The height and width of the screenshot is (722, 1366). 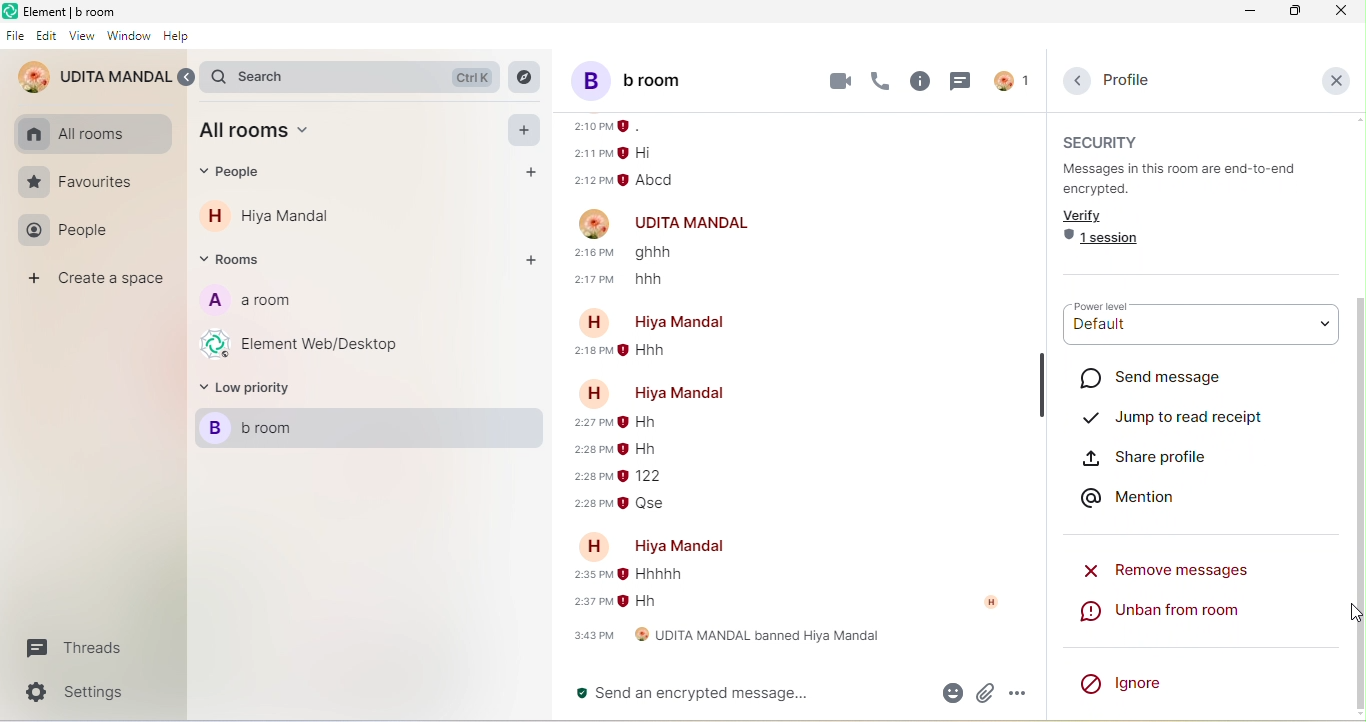 I want to click on attachment, so click(x=984, y=693).